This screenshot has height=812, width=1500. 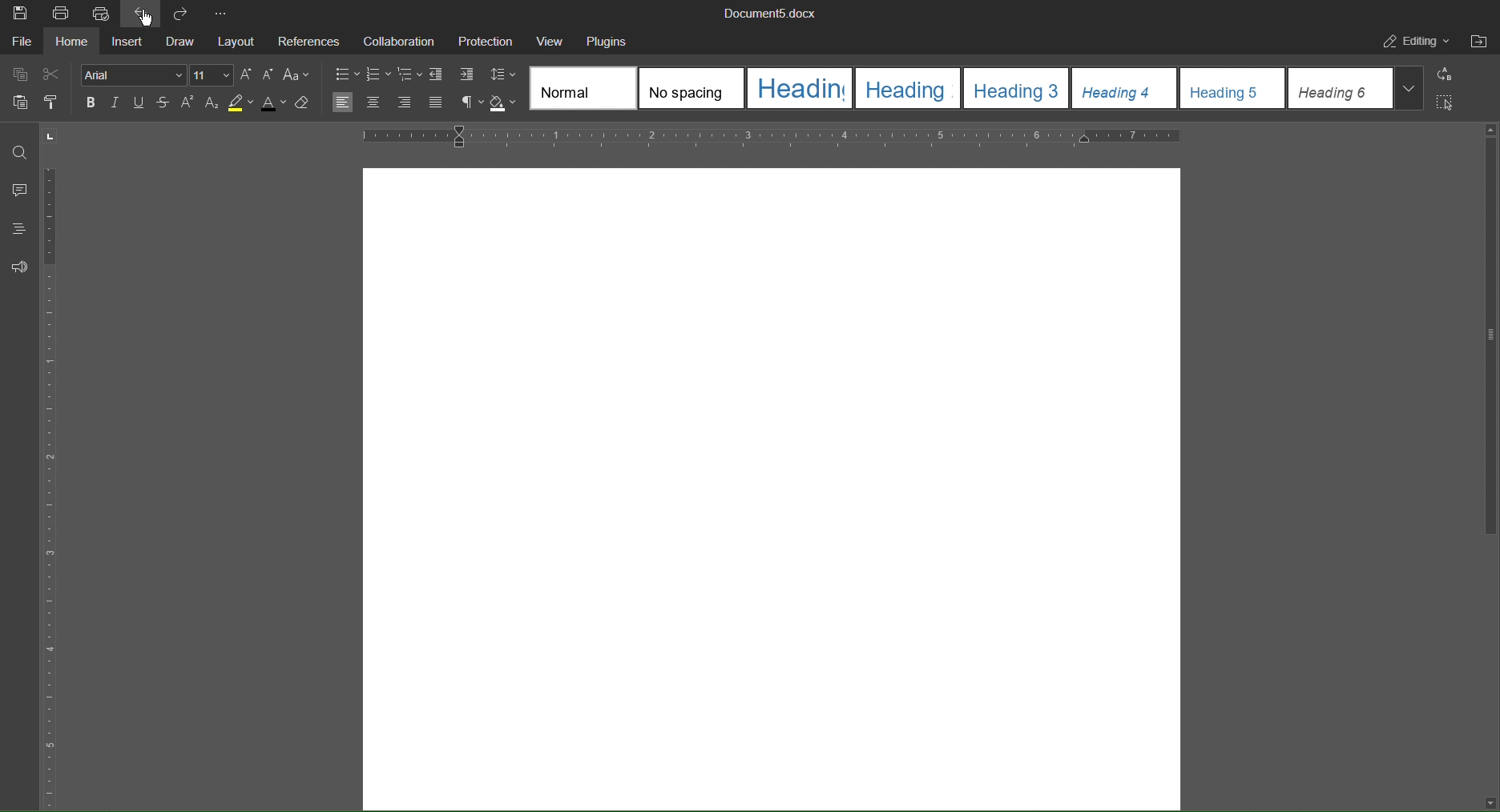 I want to click on Subscript, so click(x=212, y=103).